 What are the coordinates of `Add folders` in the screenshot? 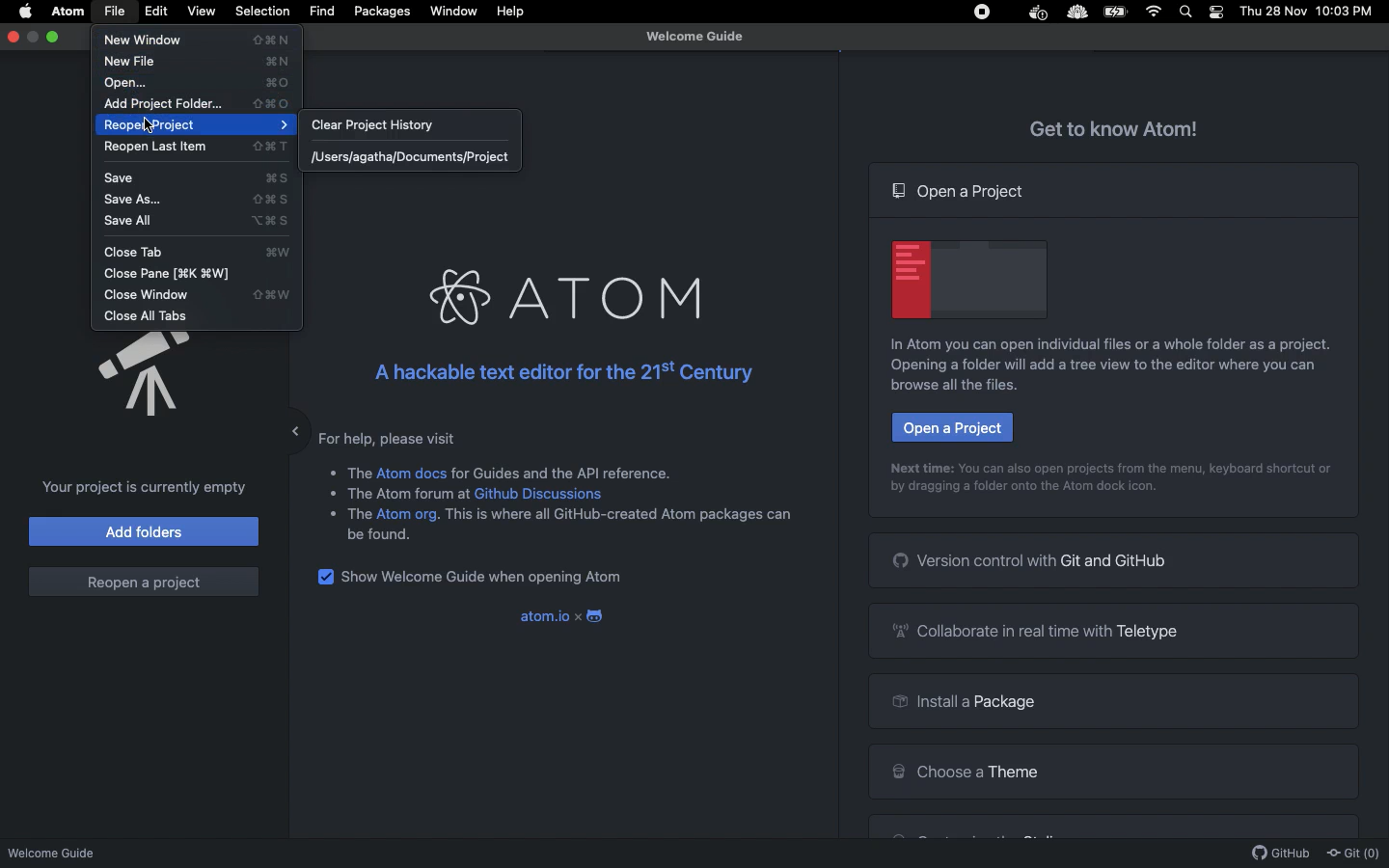 It's located at (145, 530).